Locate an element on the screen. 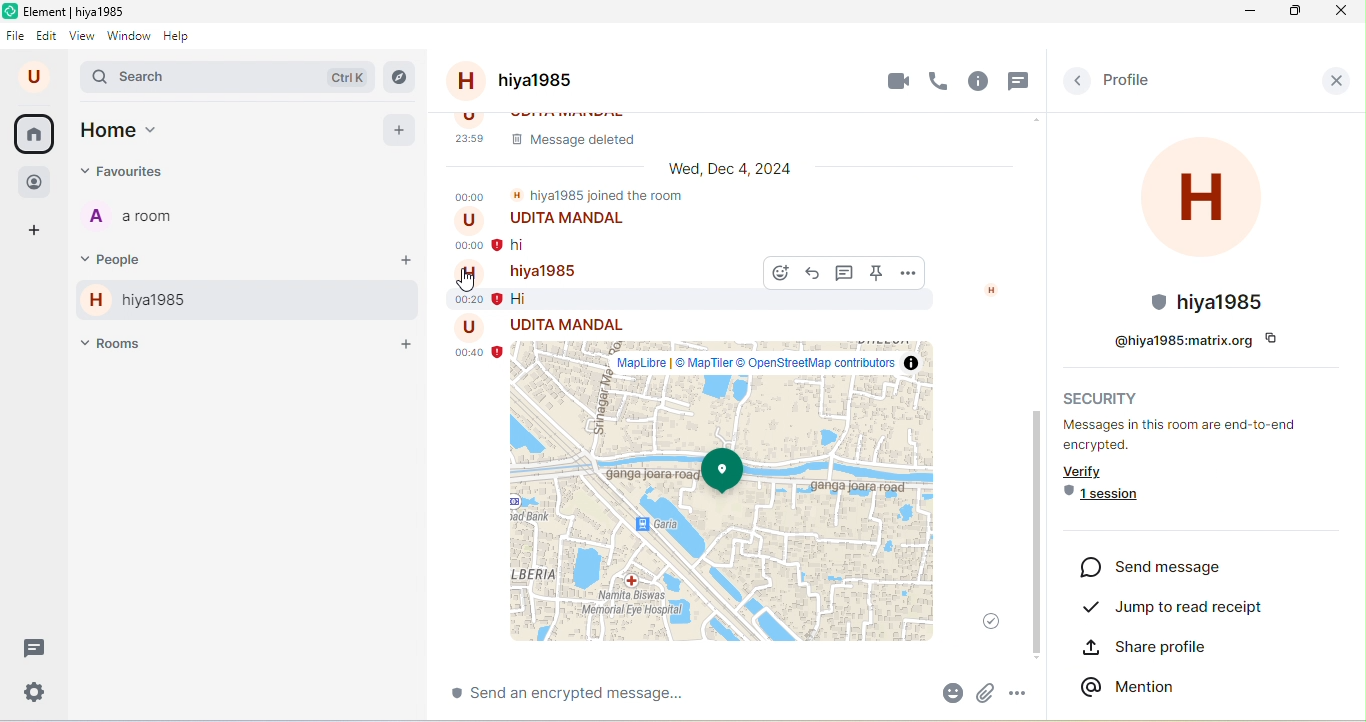  copy is located at coordinates (1277, 339).